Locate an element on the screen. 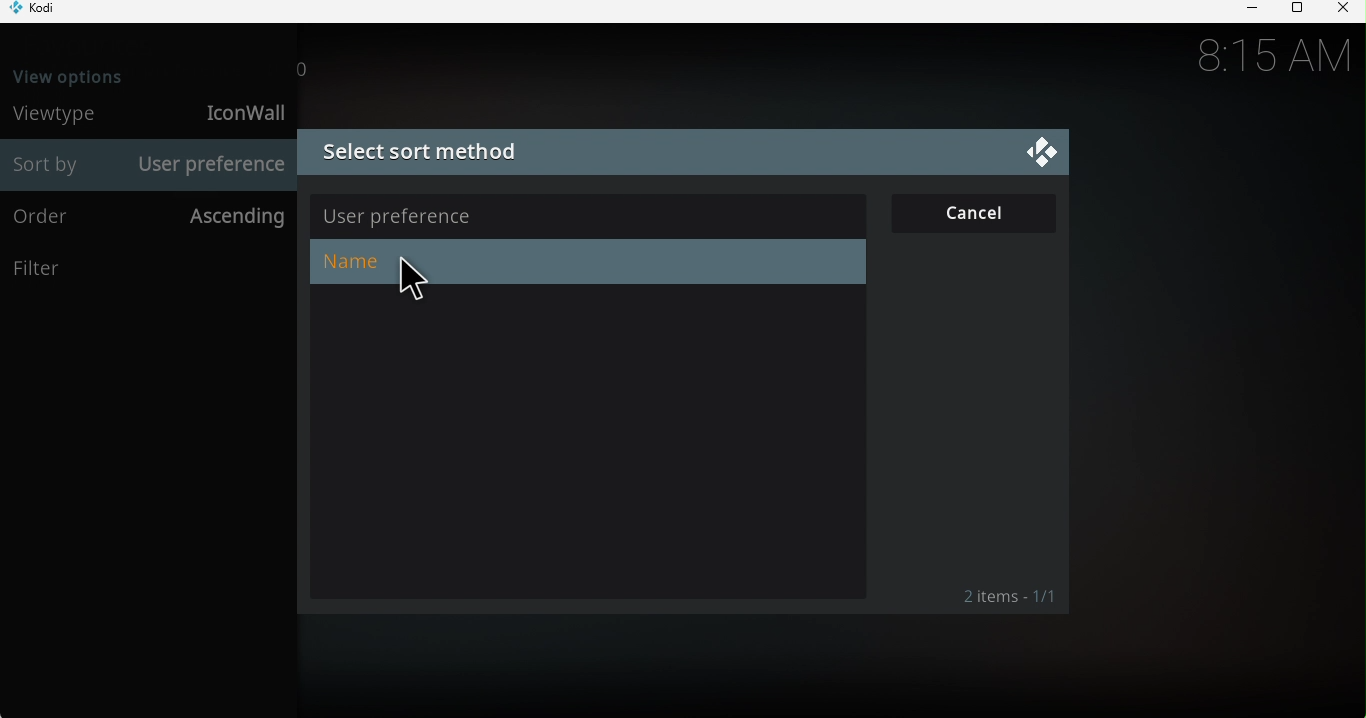 This screenshot has width=1366, height=718. 8:15 am is located at coordinates (1271, 56).